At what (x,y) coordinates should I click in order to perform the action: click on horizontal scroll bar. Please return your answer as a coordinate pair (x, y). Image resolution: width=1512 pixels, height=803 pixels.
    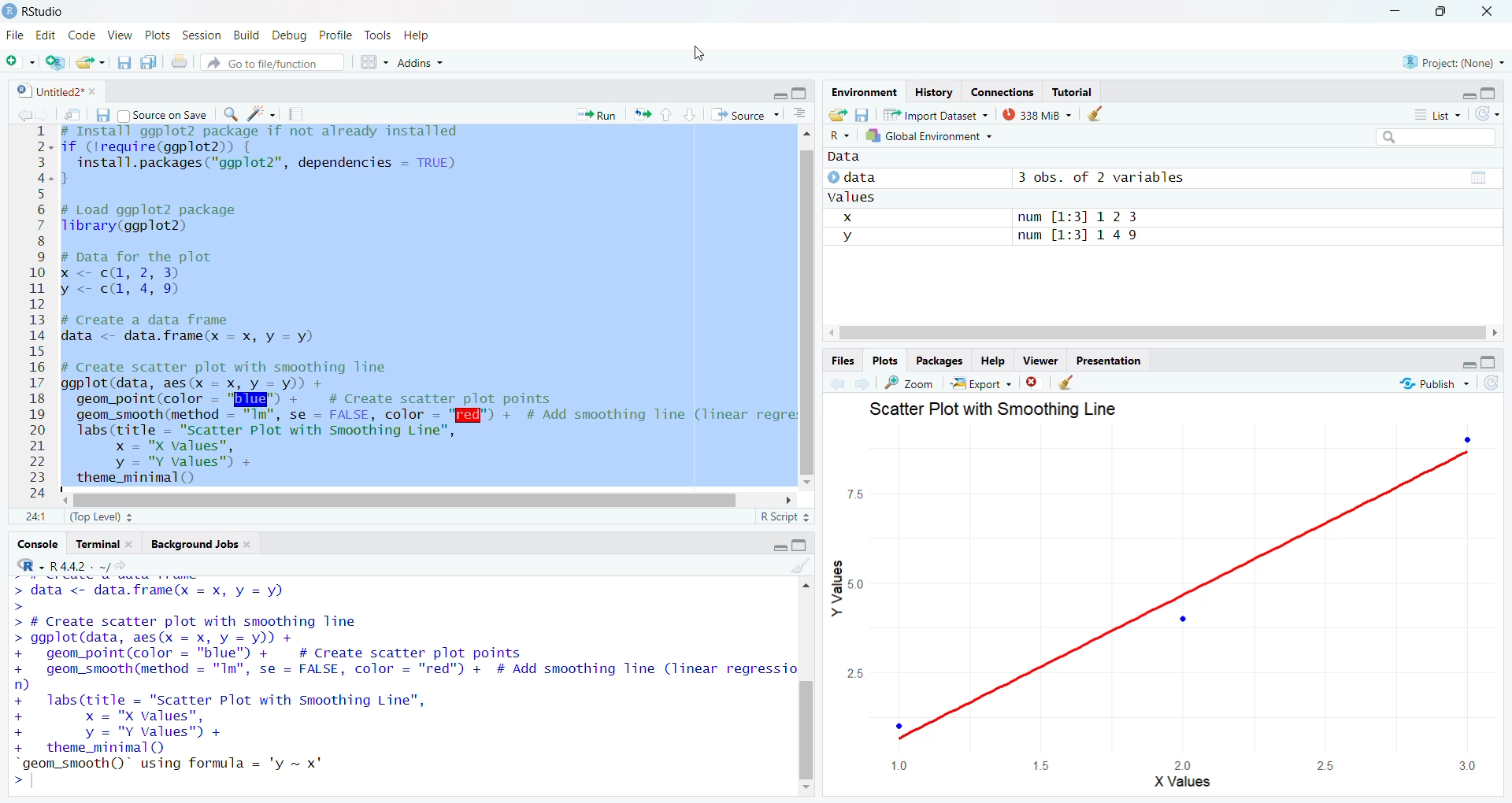
    Looking at the image, I should click on (1157, 333).